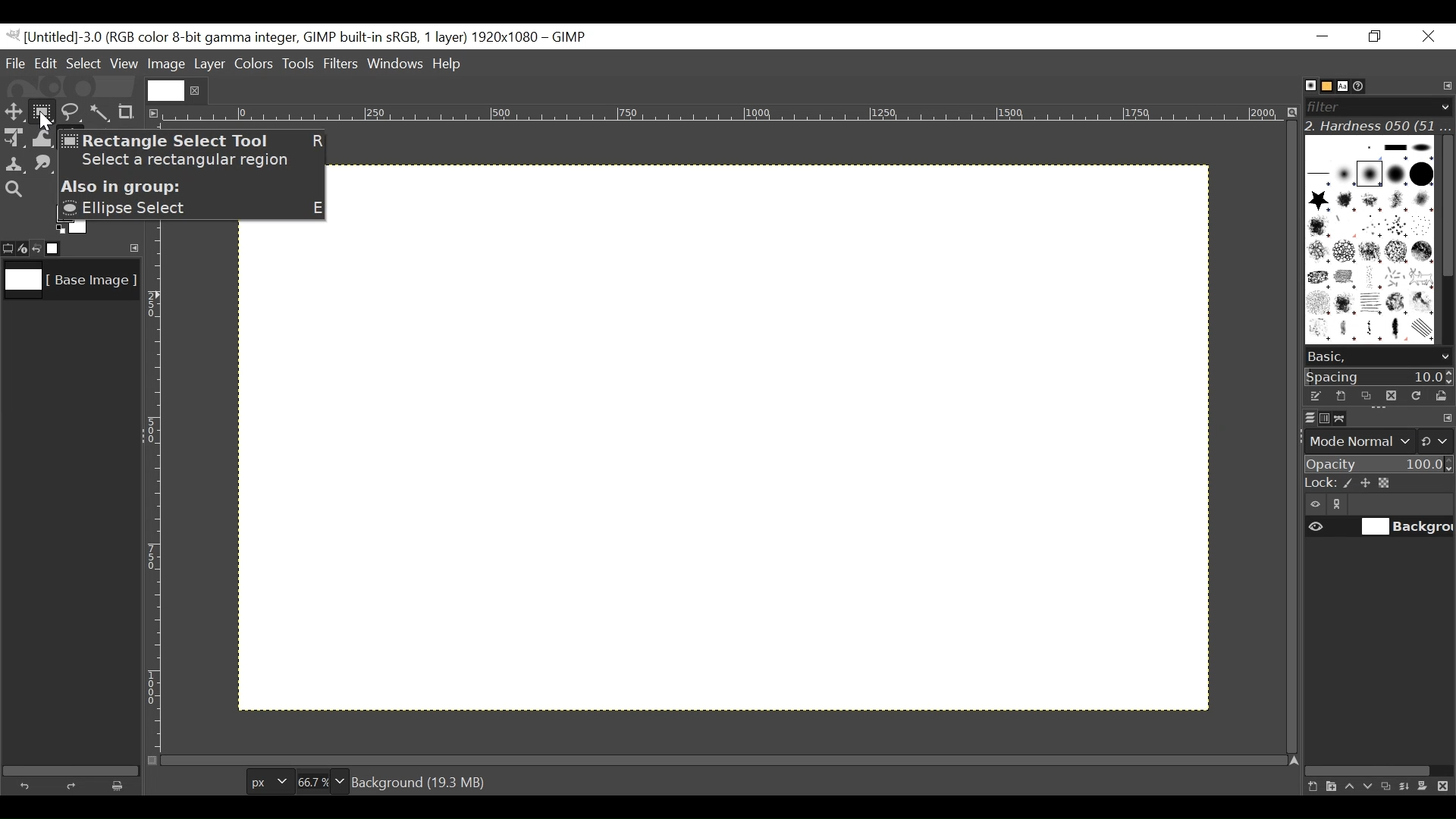 The width and height of the screenshot is (1456, 819). I want to click on scroll down, so click(1445, 357).